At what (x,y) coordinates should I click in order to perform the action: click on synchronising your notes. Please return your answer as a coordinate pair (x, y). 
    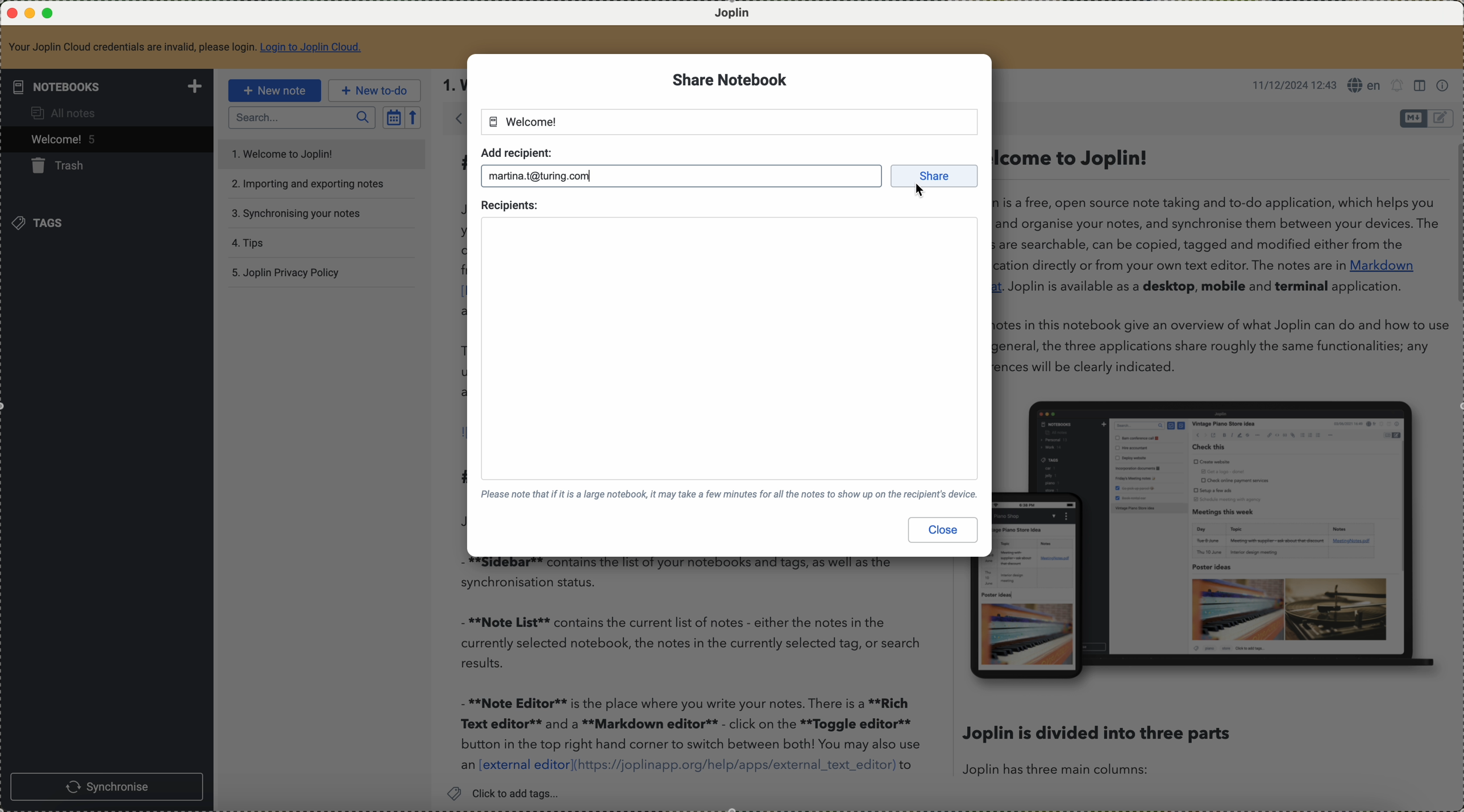
    Looking at the image, I should click on (297, 213).